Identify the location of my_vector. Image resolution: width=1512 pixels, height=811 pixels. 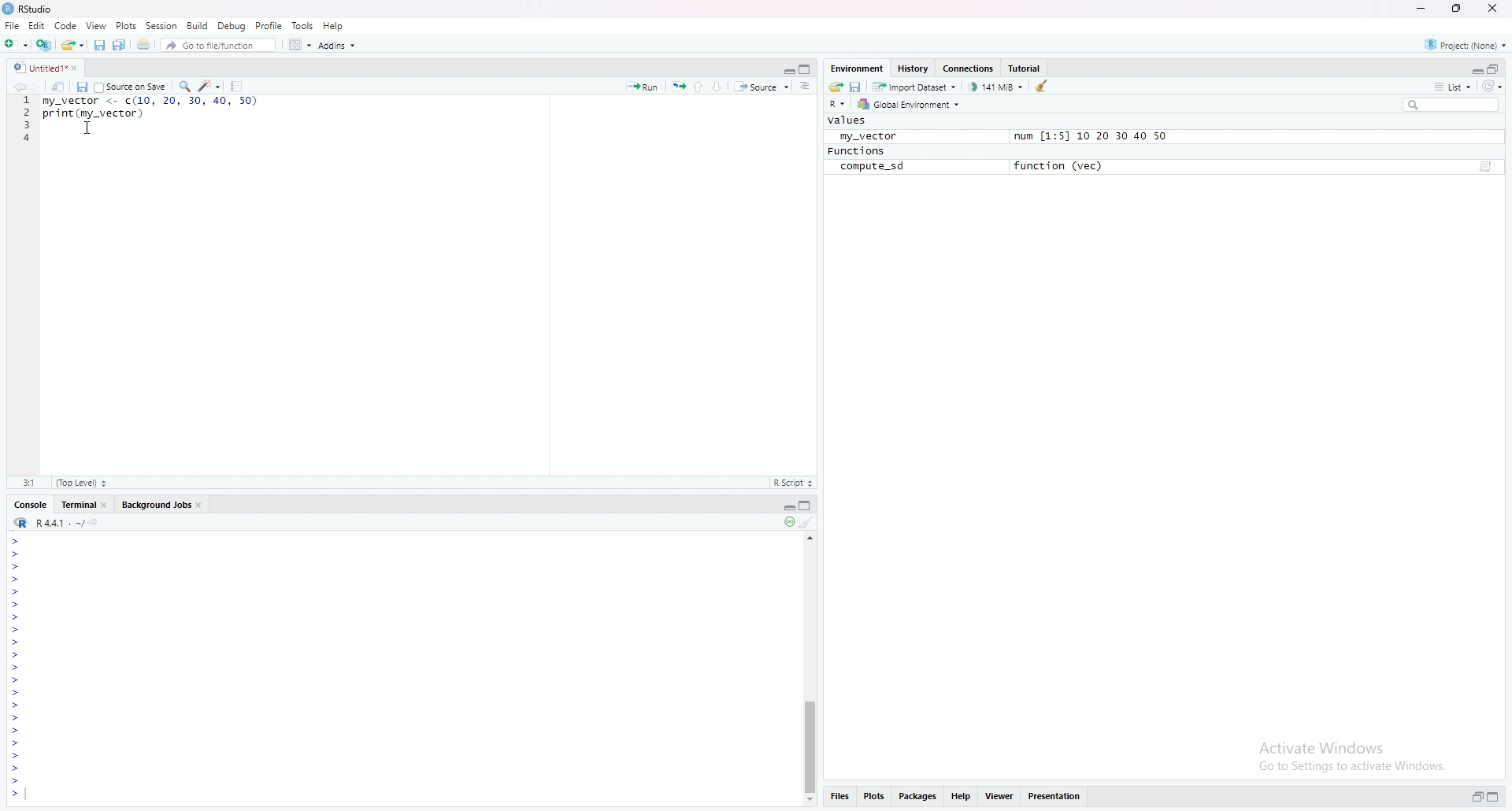
(865, 135).